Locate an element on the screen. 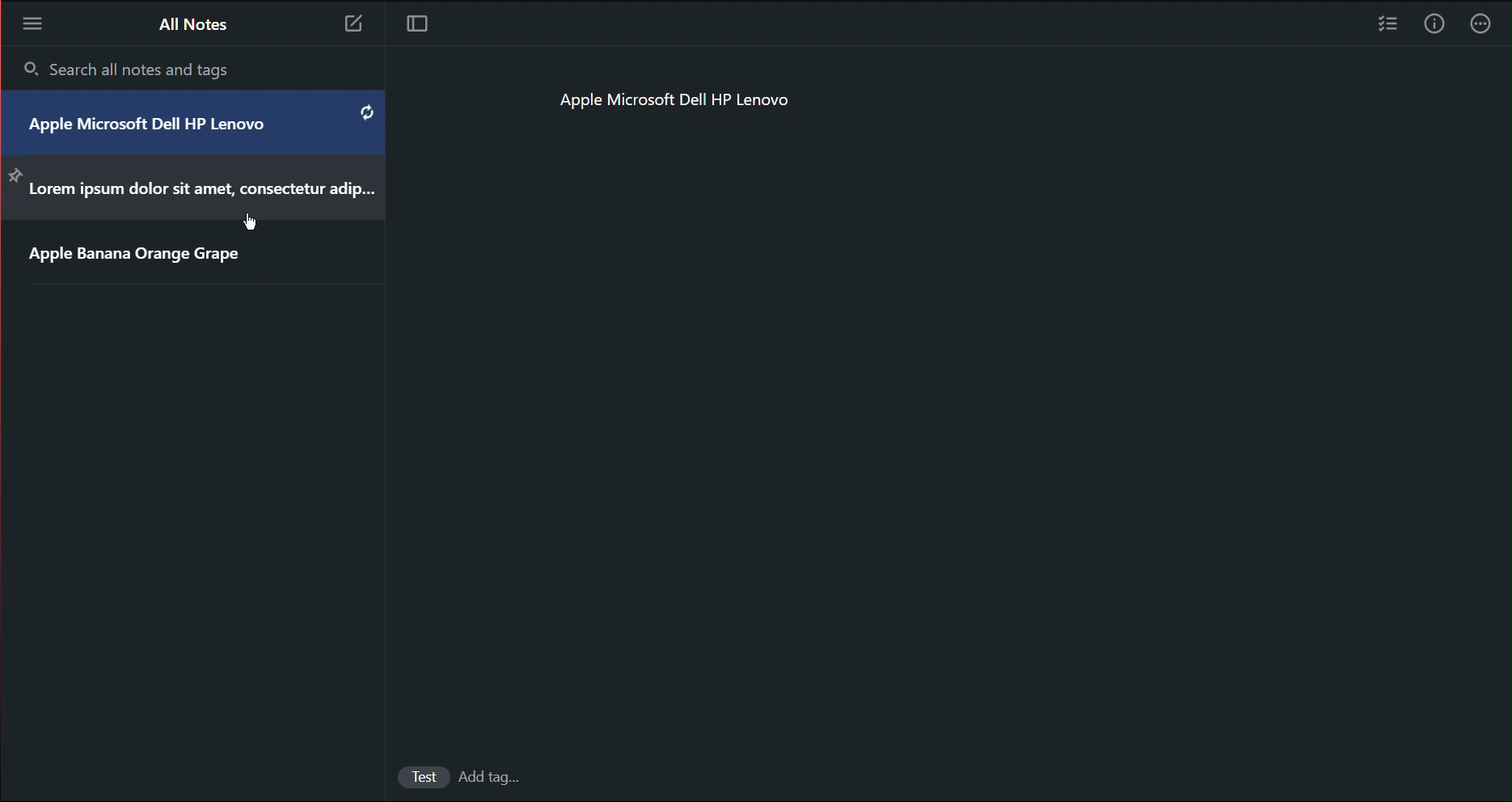 The image size is (1512, 802). Note 3 is located at coordinates (356, 26).